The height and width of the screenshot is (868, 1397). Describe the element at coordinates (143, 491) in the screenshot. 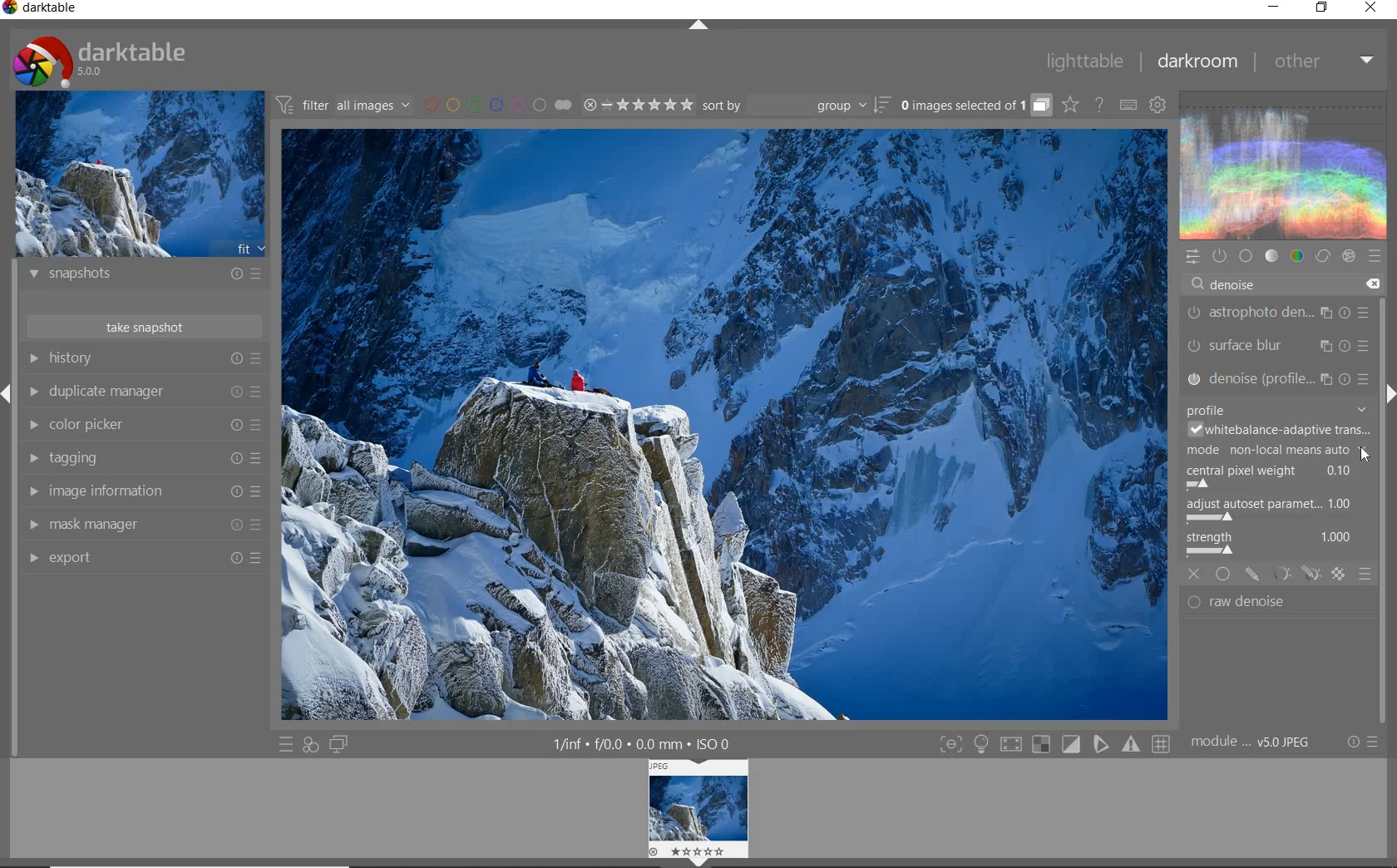

I see `image information` at that location.